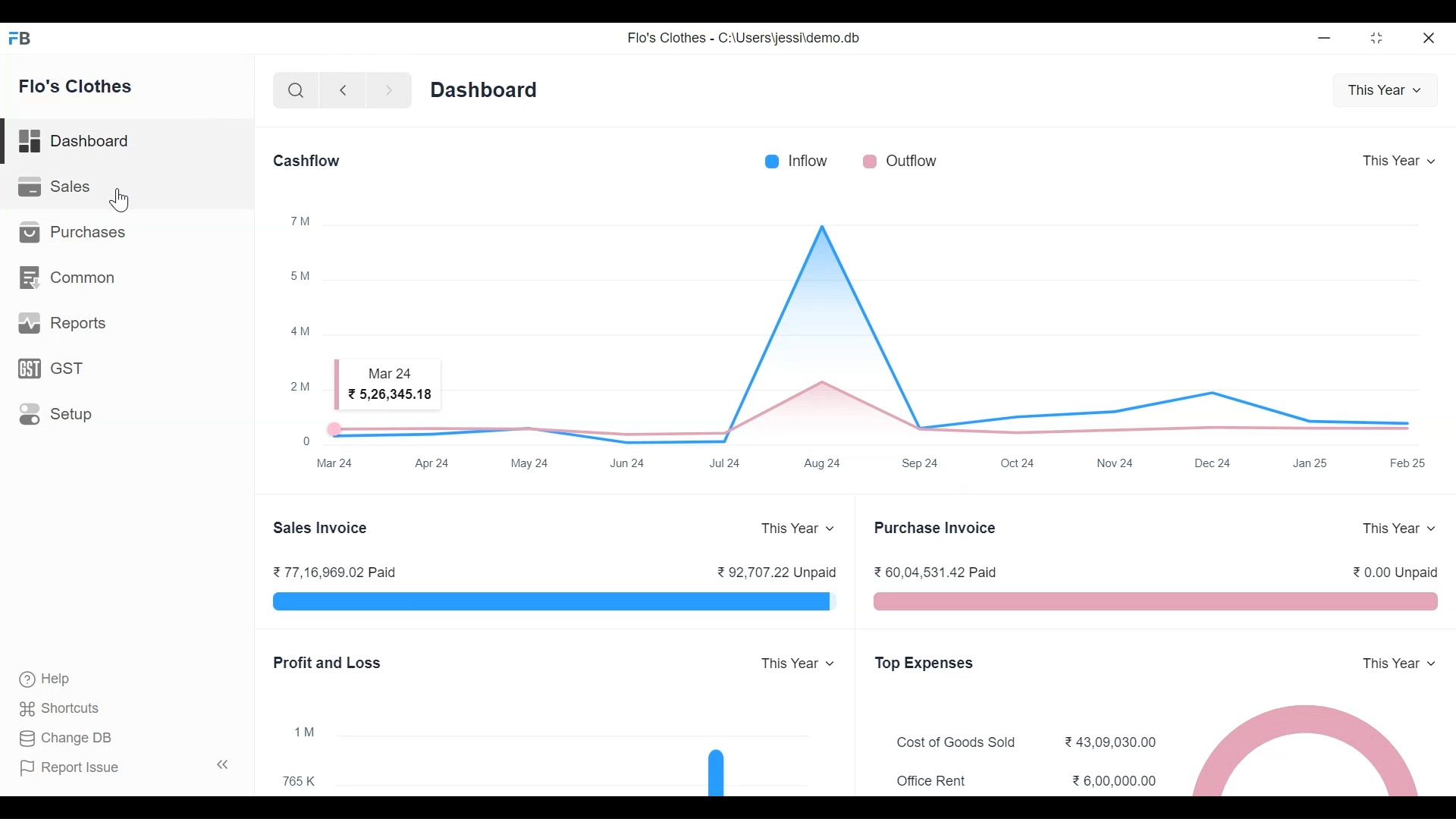  Describe the element at coordinates (64, 708) in the screenshot. I see `' Shortcuts` at that location.